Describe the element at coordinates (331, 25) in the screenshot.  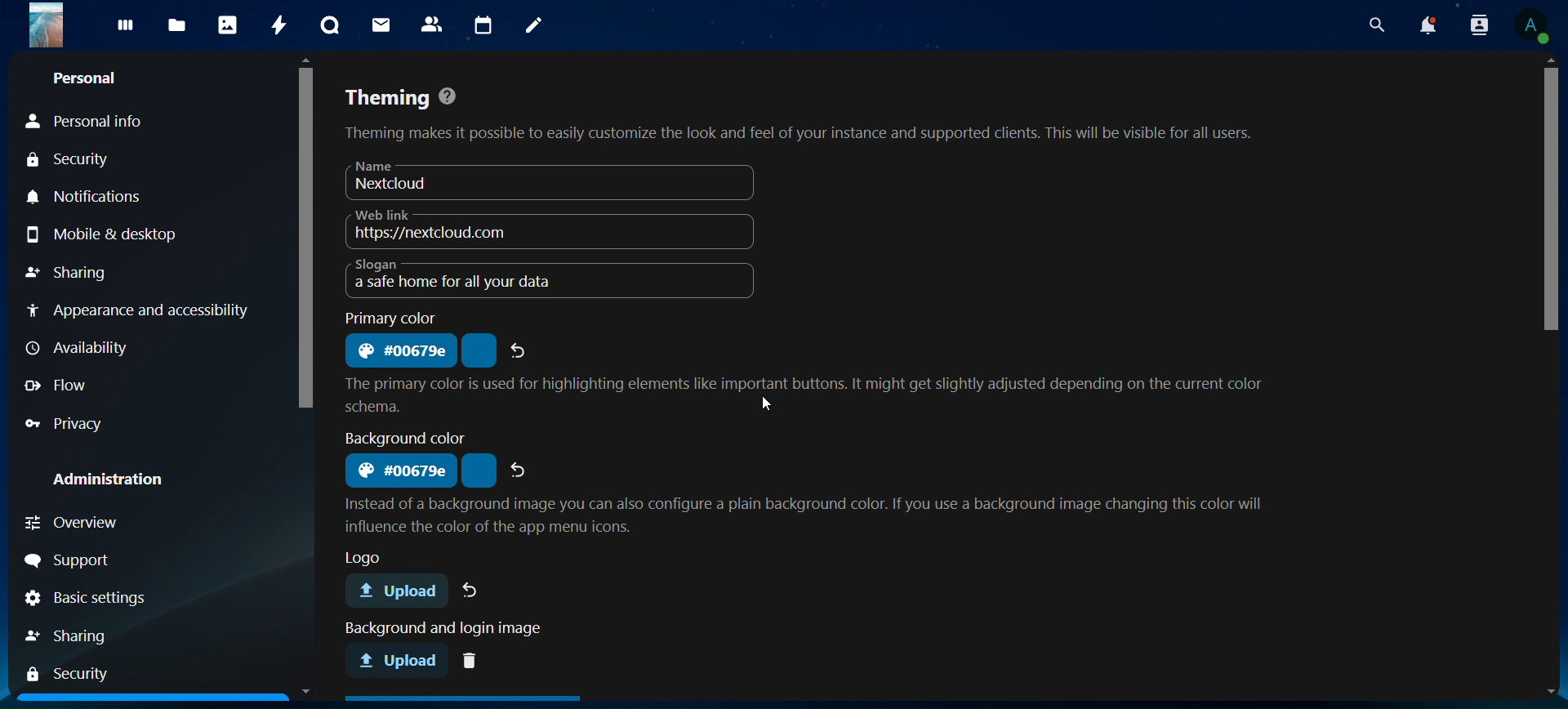
I see `talk` at that location.